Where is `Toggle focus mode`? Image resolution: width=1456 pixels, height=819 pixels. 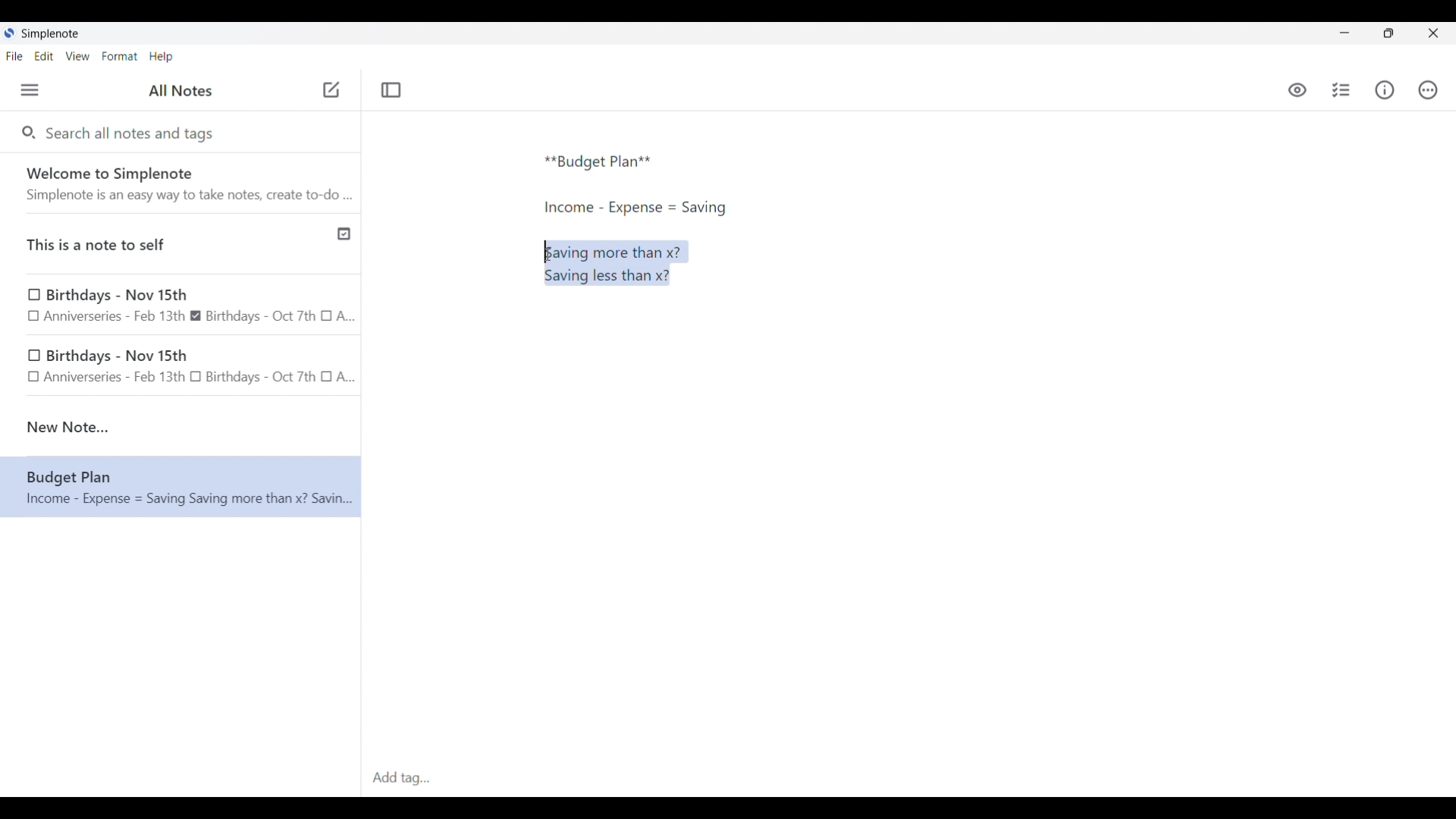 Toggle focus mode is located at coordinates (391, 90).